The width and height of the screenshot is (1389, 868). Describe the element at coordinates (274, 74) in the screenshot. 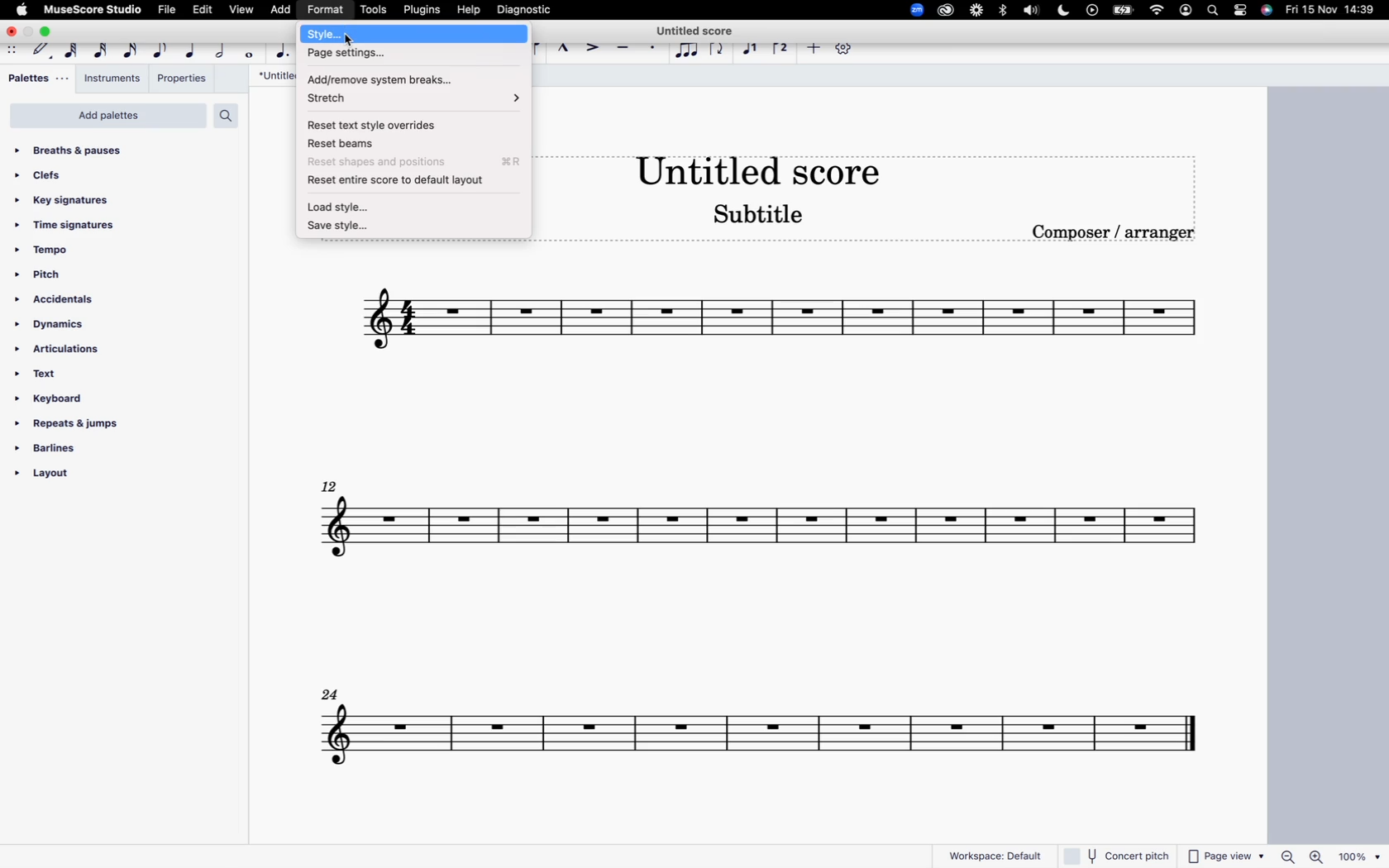

I see `score title` at that location.